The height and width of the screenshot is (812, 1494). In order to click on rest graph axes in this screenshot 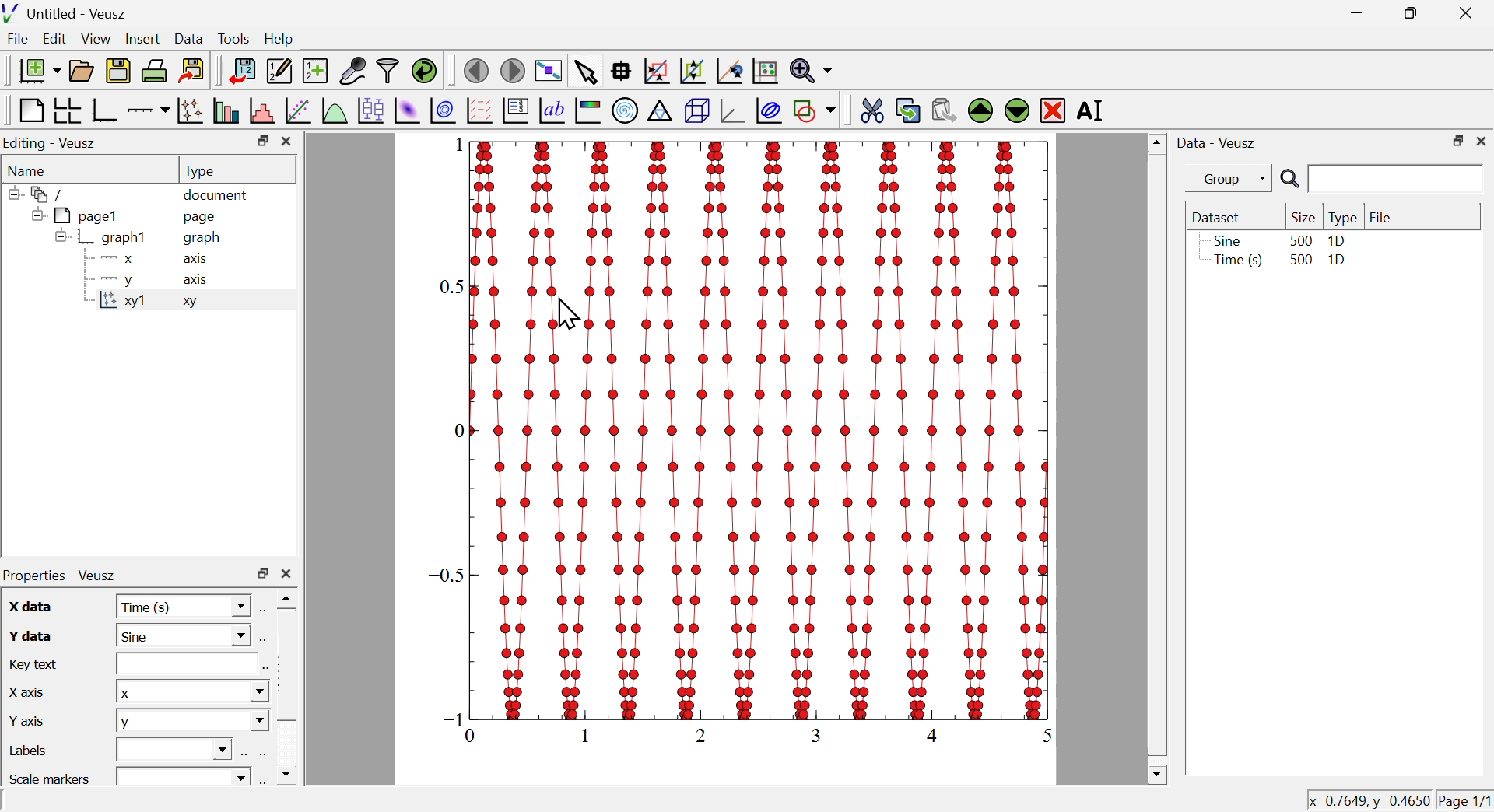, I will do `click(763, 72)`.